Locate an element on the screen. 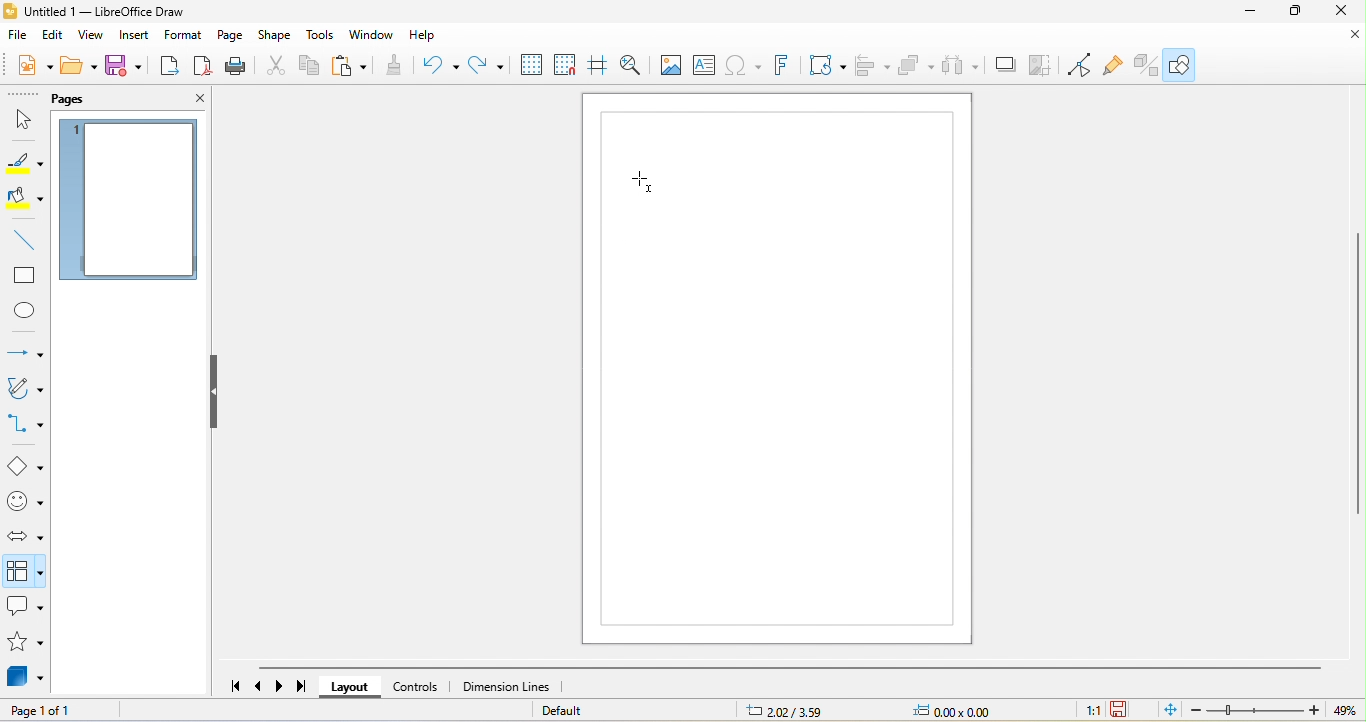 This screenshot has height=722, width=1366. horizontal scroll bar is located at coordinates (789, 667).